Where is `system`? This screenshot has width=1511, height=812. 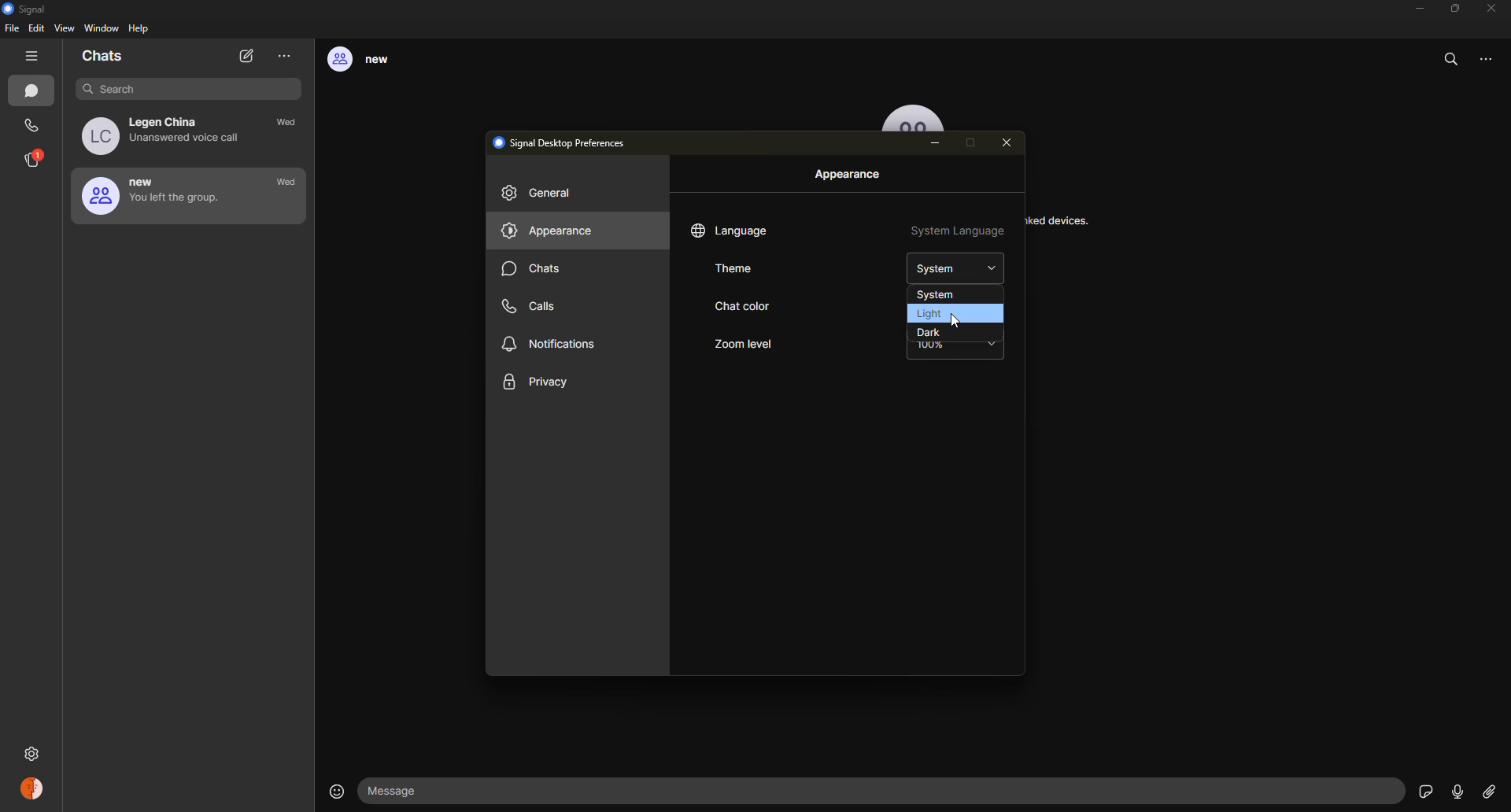
system is located at coordinates (934, 295).